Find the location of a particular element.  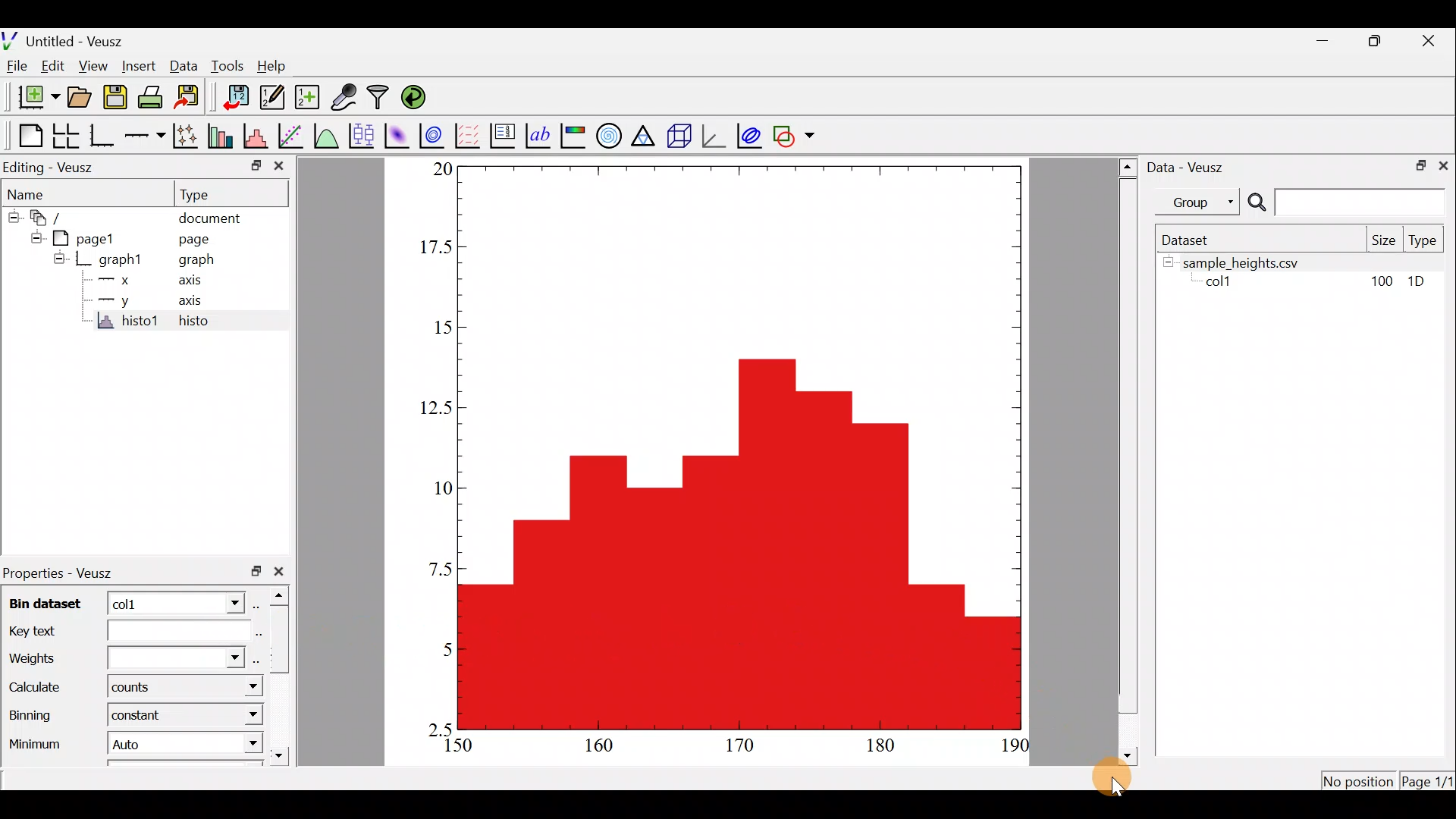

print the document is located at coordinates (153, 99).